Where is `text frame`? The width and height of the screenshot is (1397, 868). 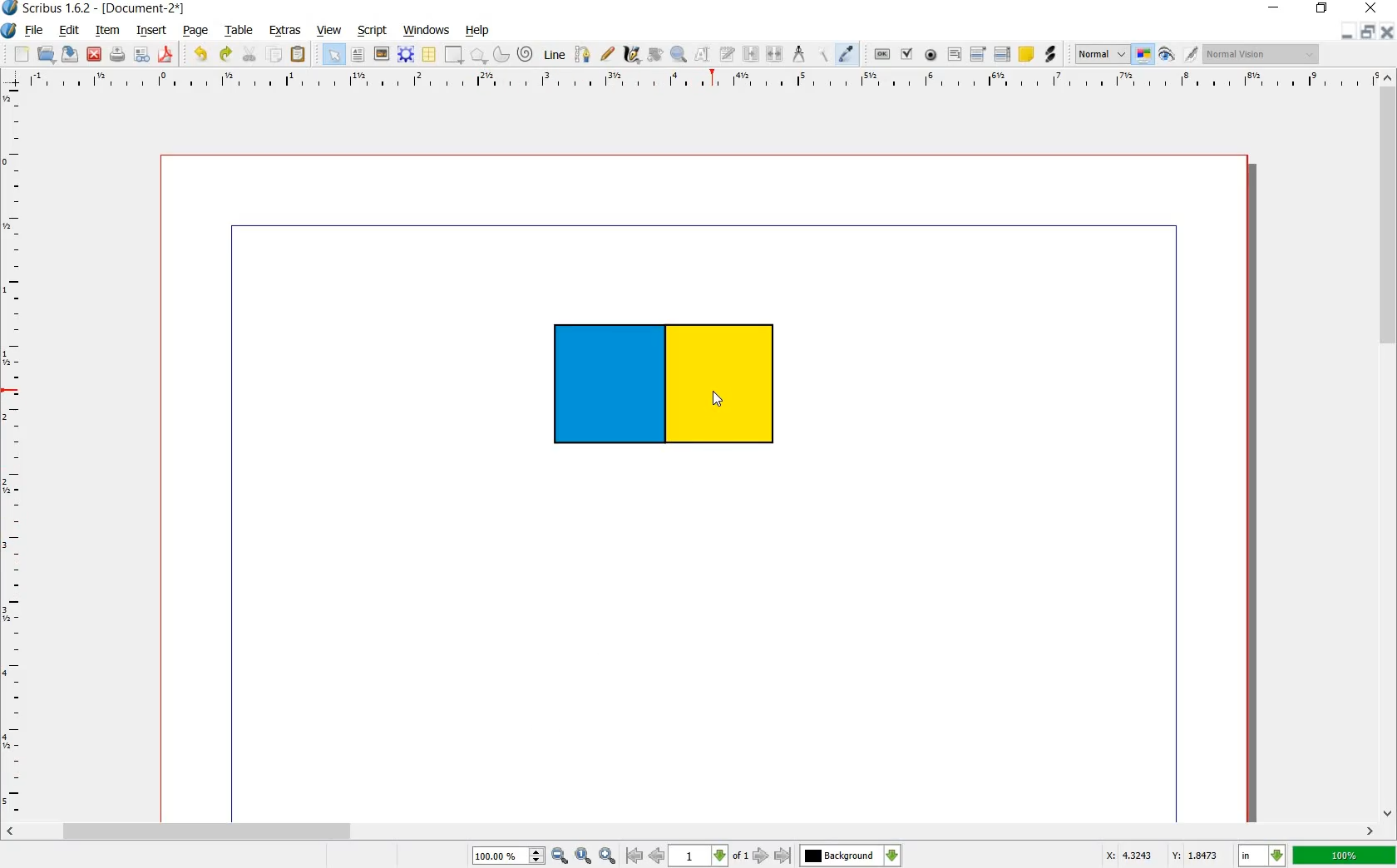 text frame is located at coordinates (358, 56).